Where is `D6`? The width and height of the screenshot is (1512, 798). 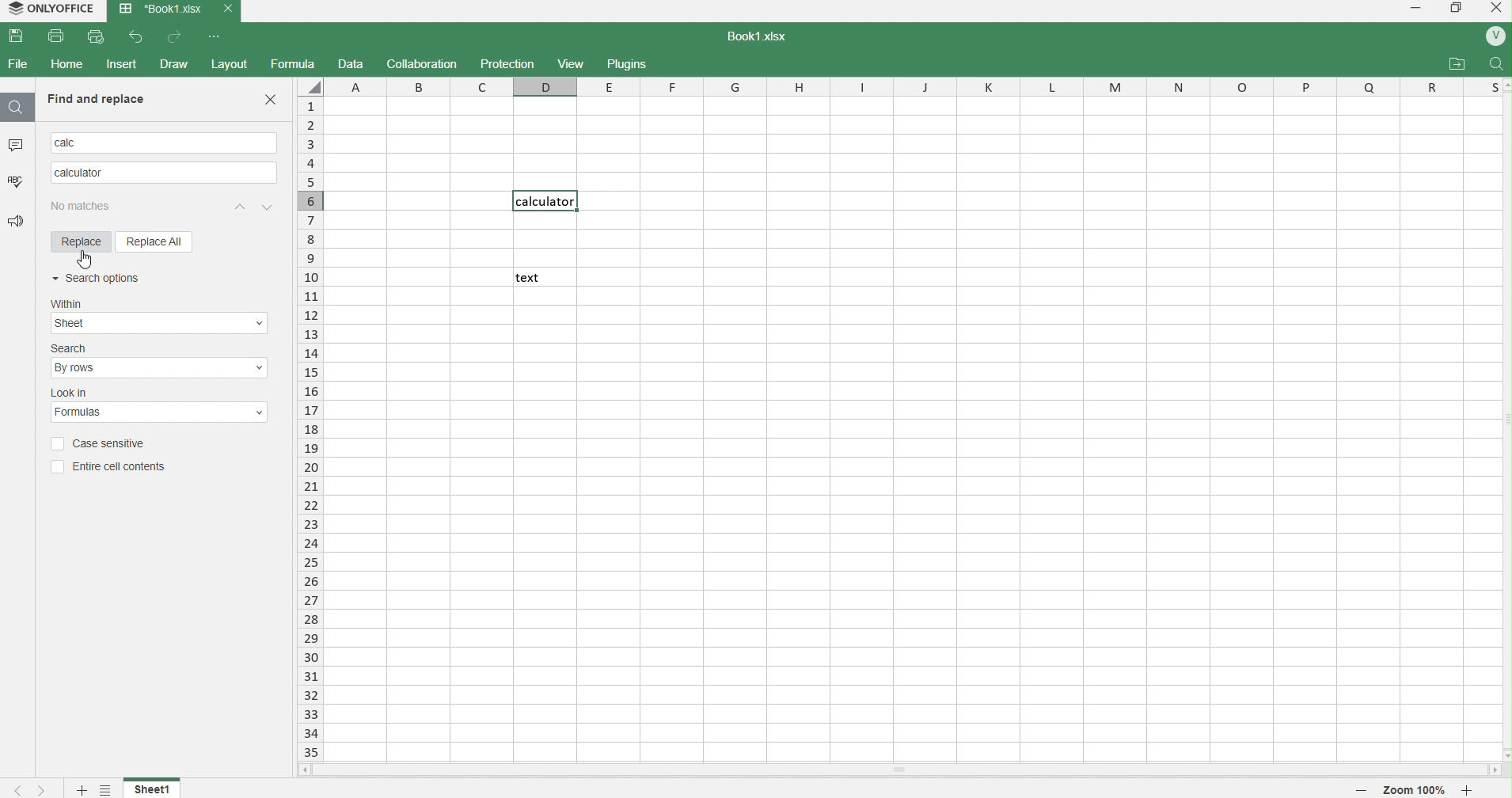 D6 is located at coordinates (135, 530).